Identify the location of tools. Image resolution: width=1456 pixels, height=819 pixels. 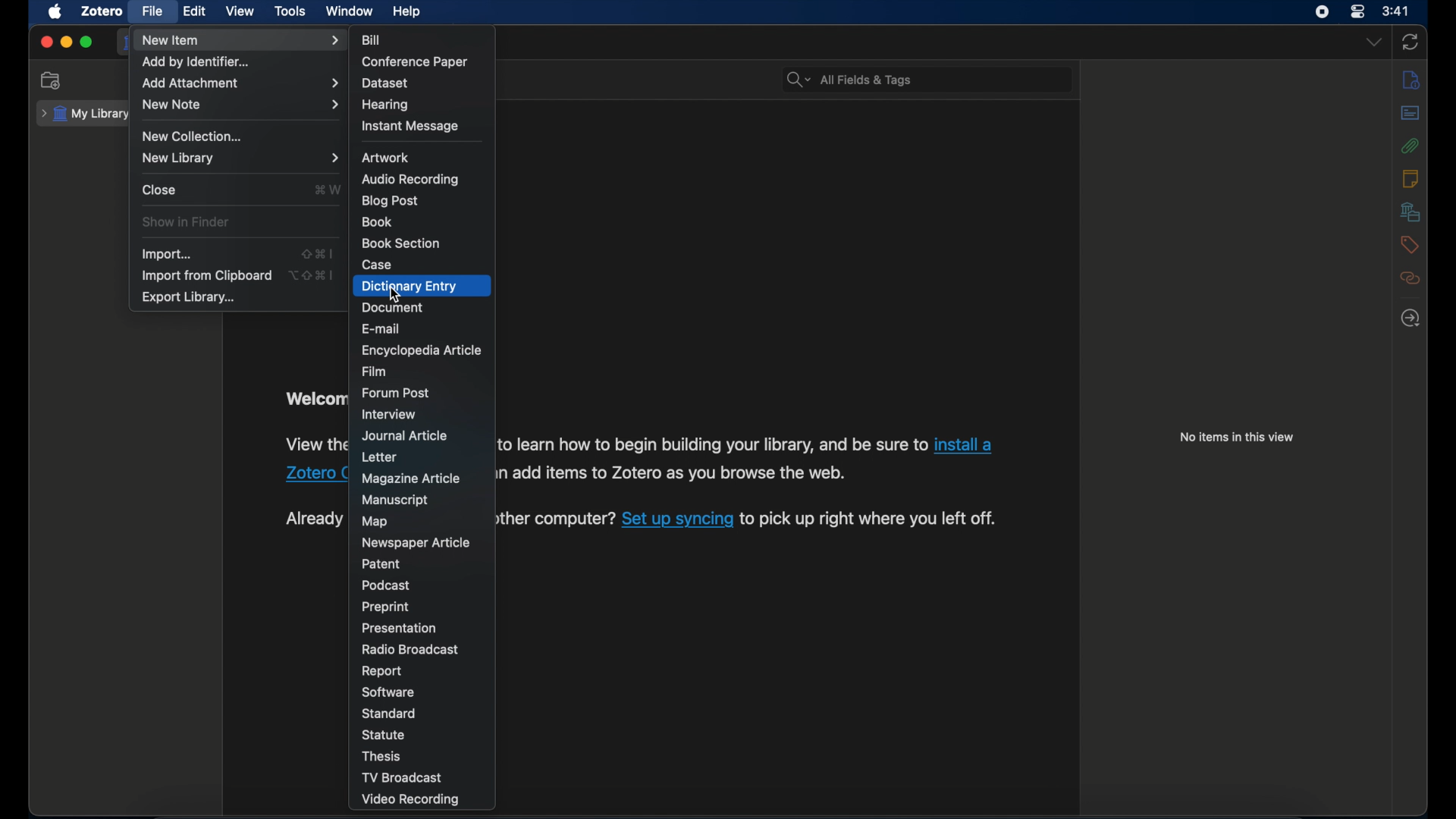
(290, 11).